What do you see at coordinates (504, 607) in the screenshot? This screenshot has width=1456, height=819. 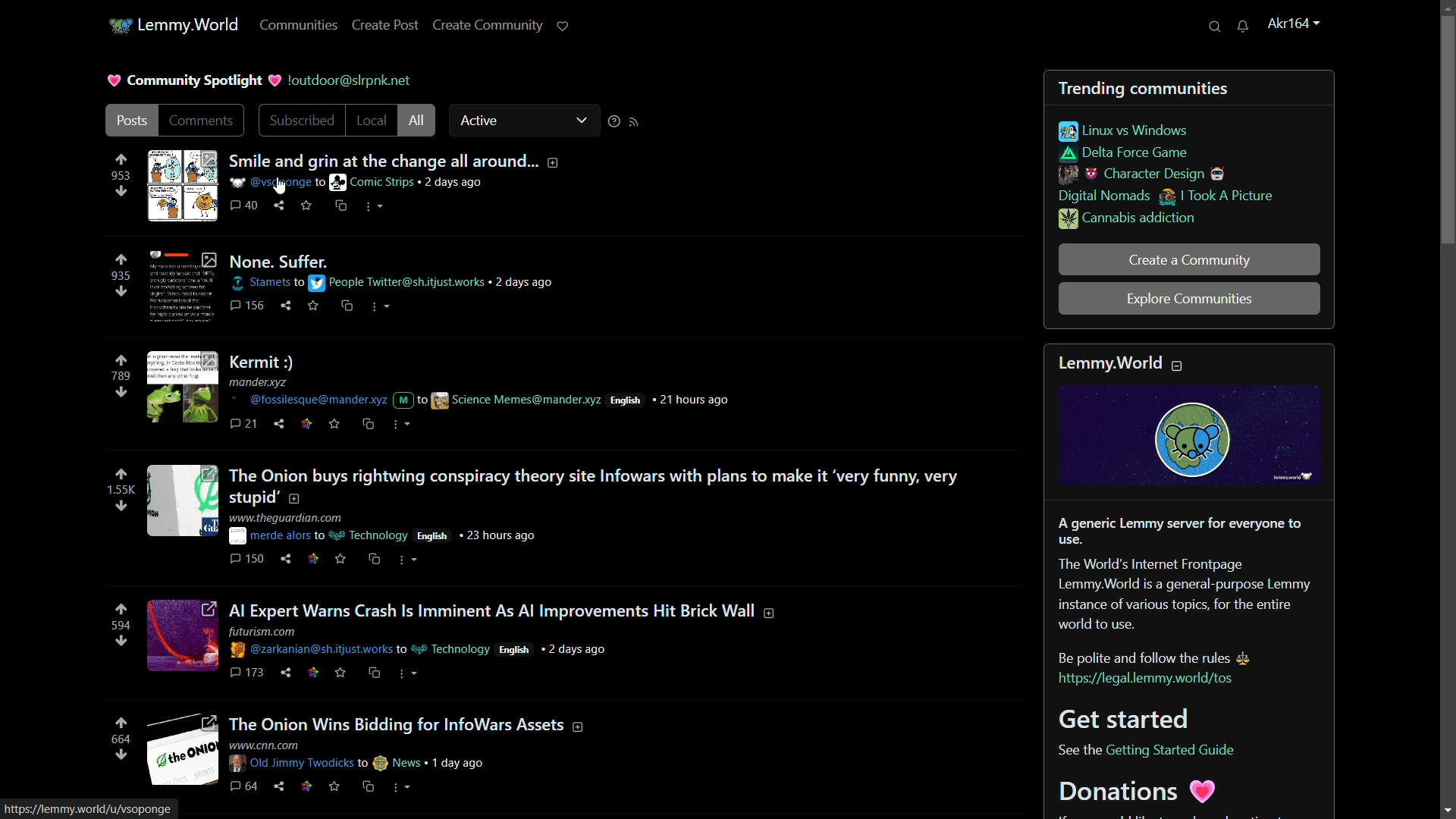 I see `post-4` at bounding box center [504, 607].